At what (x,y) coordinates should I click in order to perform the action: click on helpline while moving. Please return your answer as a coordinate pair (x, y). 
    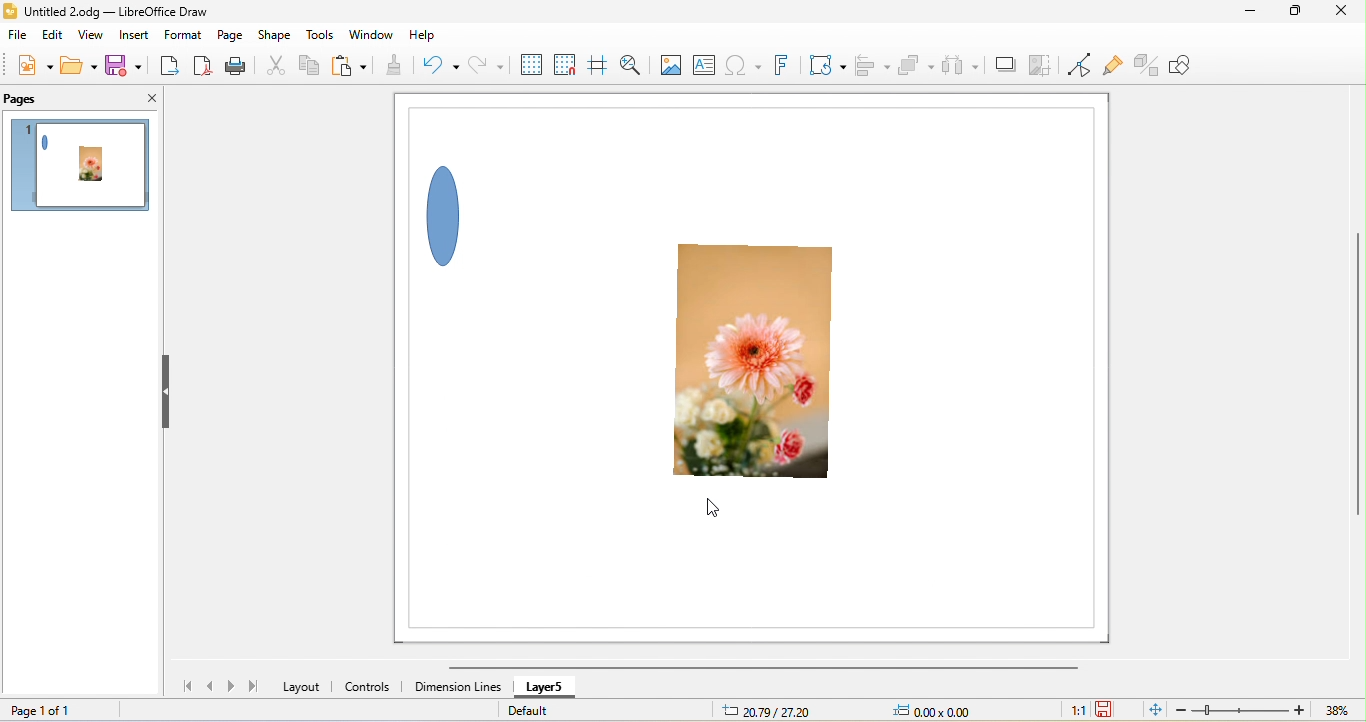
    Looking at the image, I should click on (586, 64).